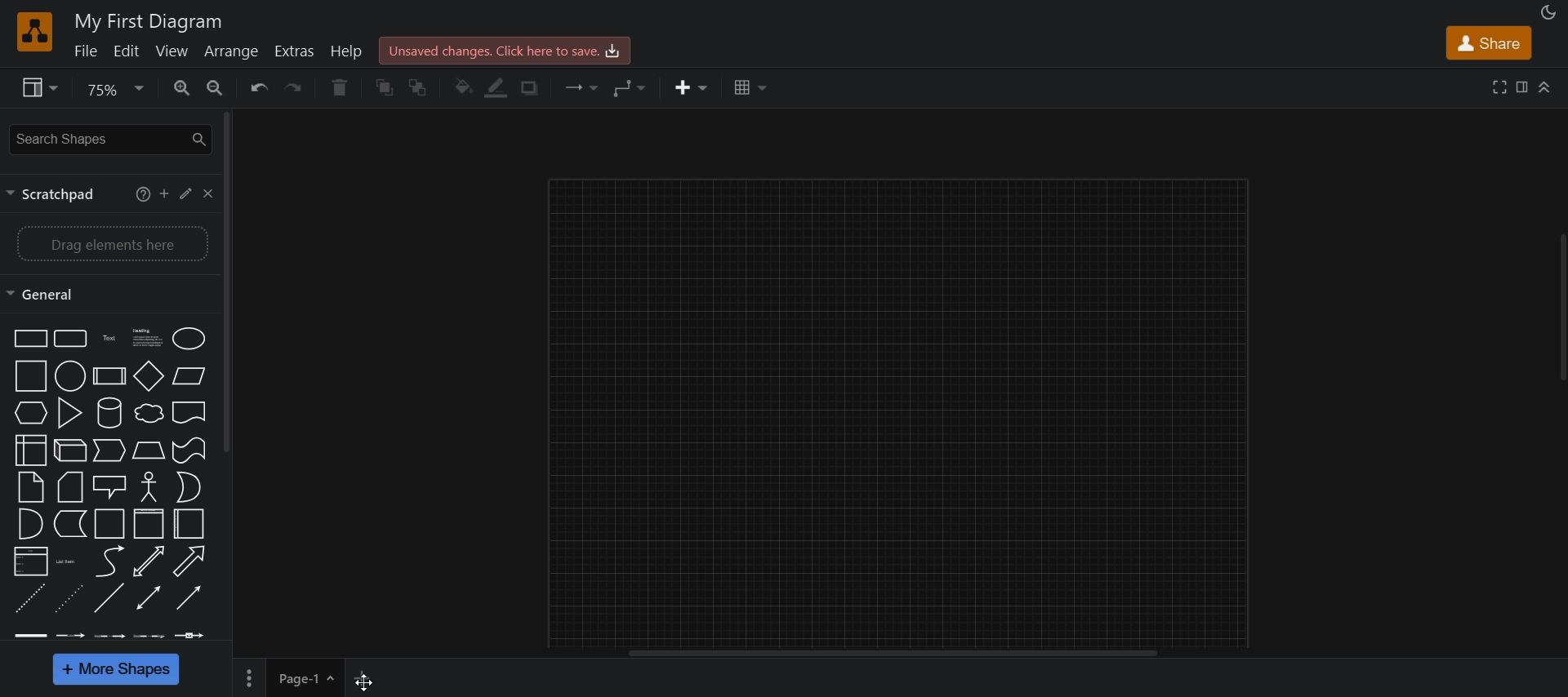 The height and width of the screenshot is (697, 1568). I want to click on fill color, so click(463, 87).